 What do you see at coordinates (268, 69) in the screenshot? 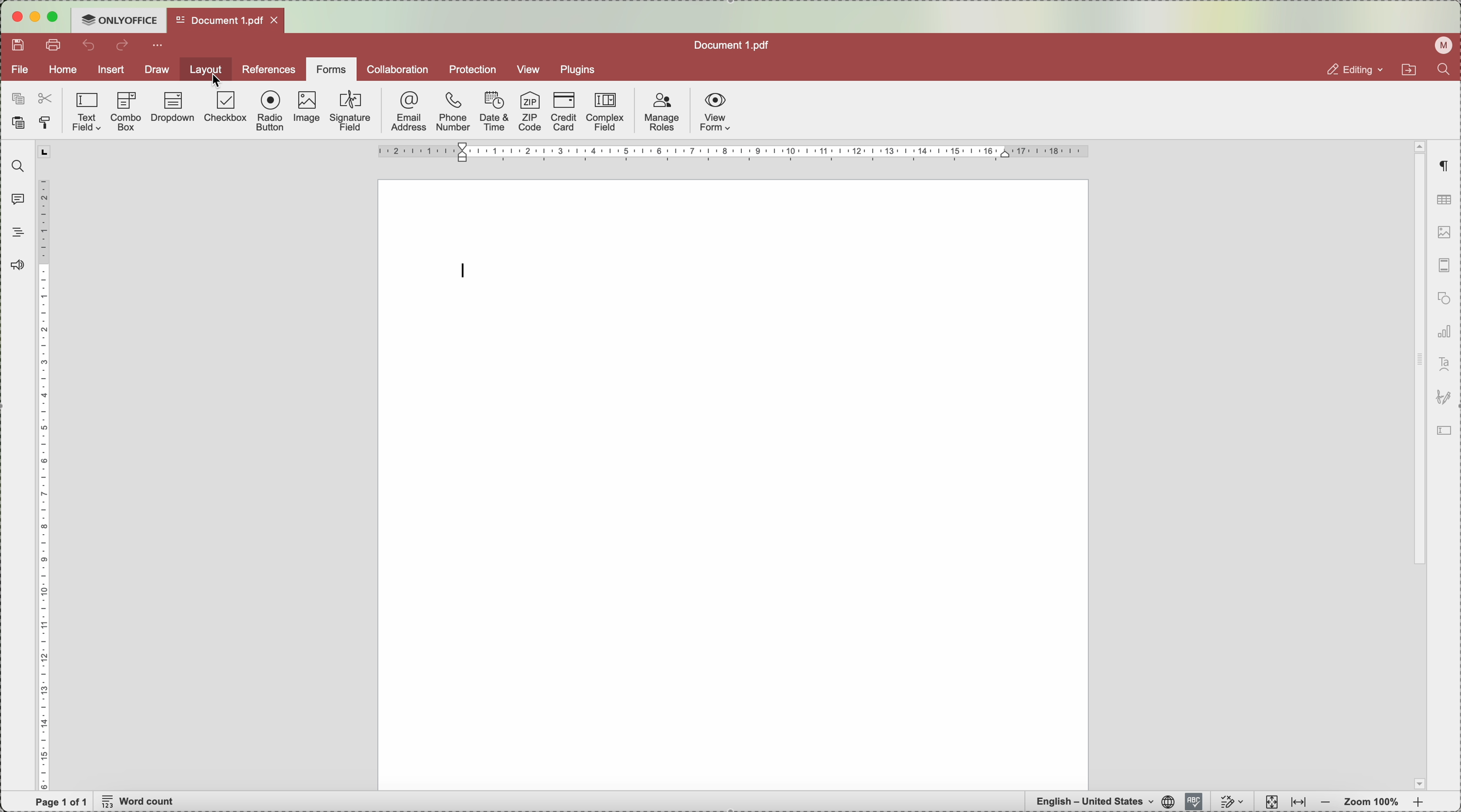
I see `references` at bounding box center [268, 69].